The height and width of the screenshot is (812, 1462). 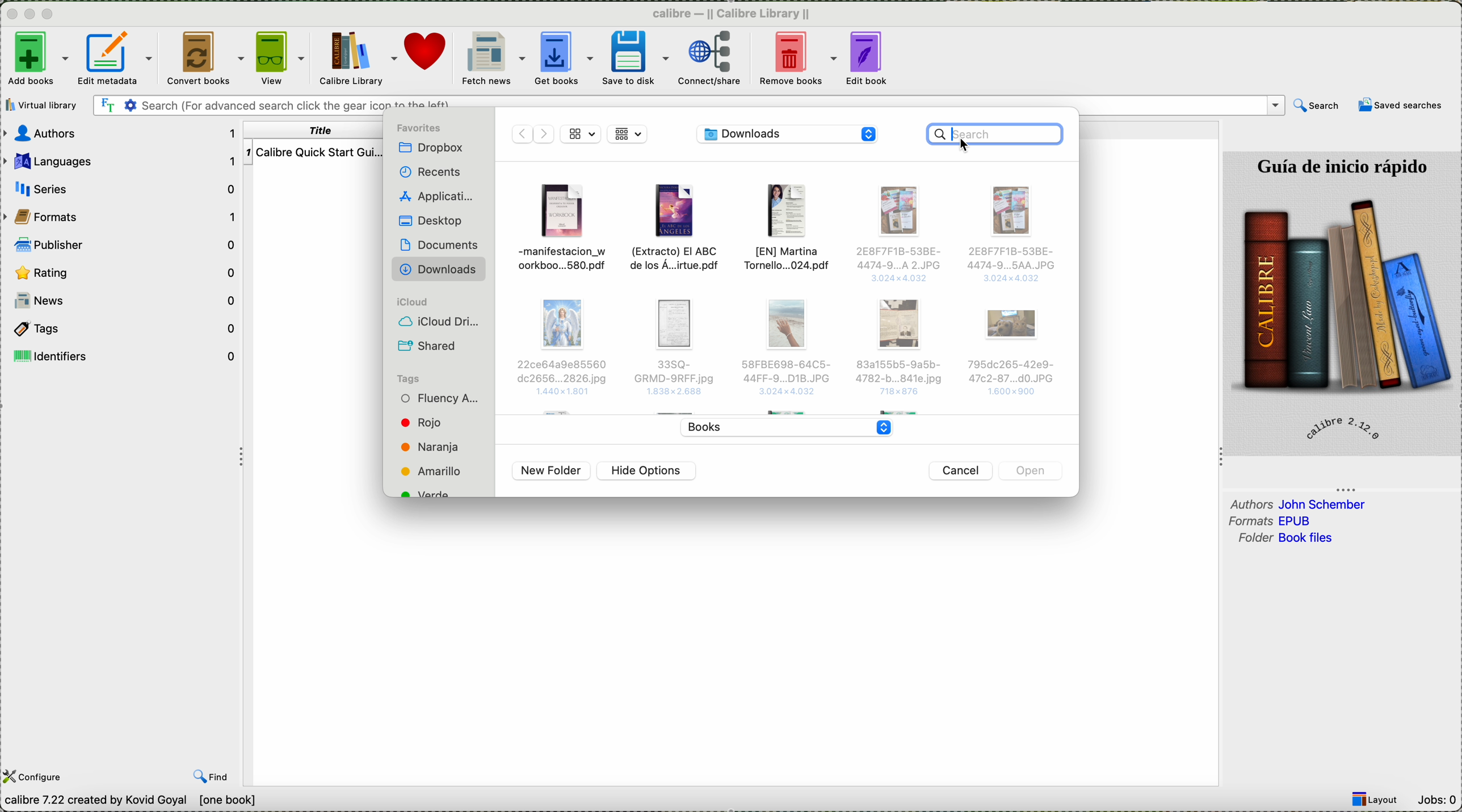 What do you see at coordinates (673, 226) in the screenshot?
I see `file` at bounding box center [673, 226].